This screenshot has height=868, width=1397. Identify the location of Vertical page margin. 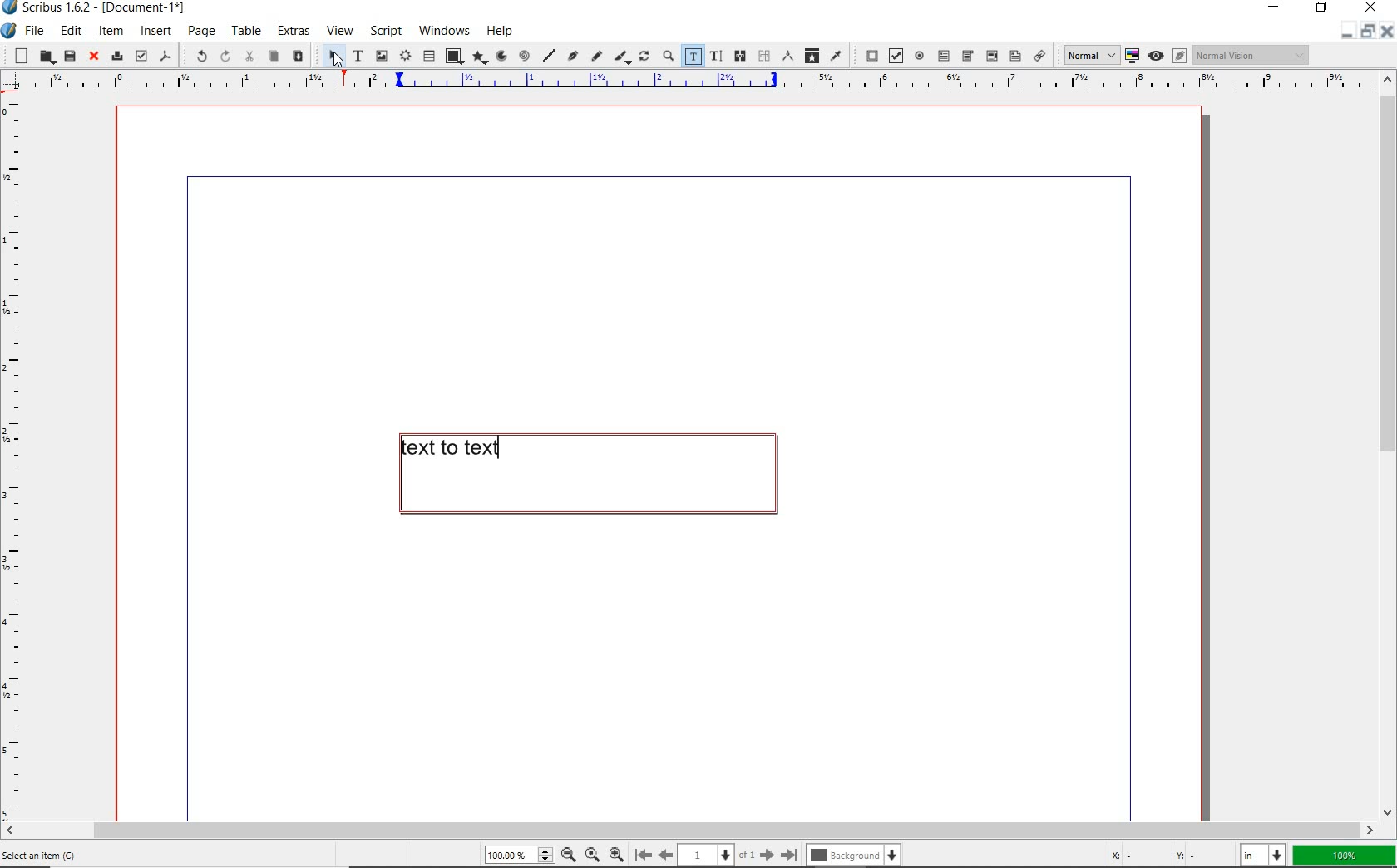
(683, 83).